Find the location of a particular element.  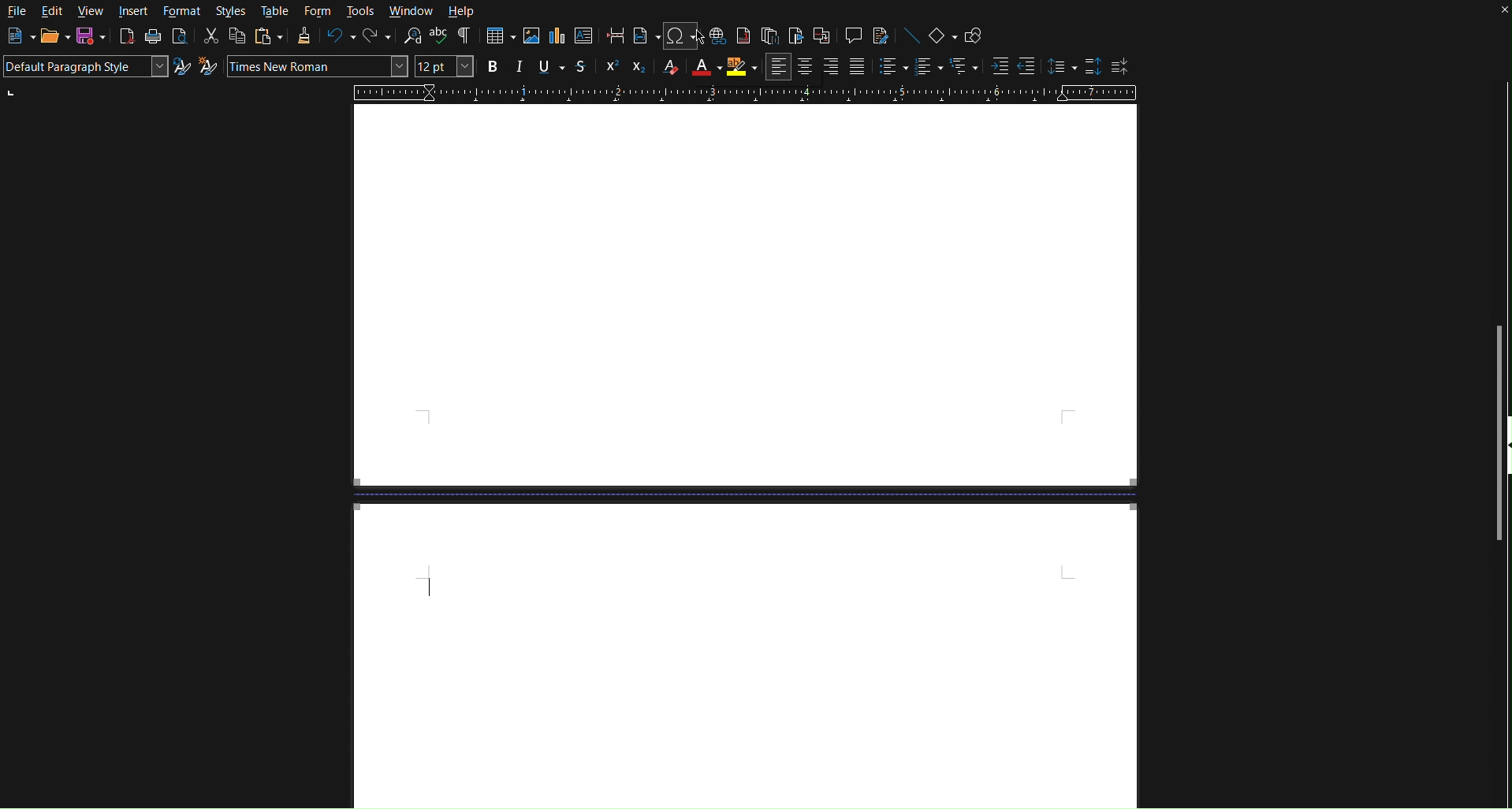

Underline is located at coordinates (548, 68).